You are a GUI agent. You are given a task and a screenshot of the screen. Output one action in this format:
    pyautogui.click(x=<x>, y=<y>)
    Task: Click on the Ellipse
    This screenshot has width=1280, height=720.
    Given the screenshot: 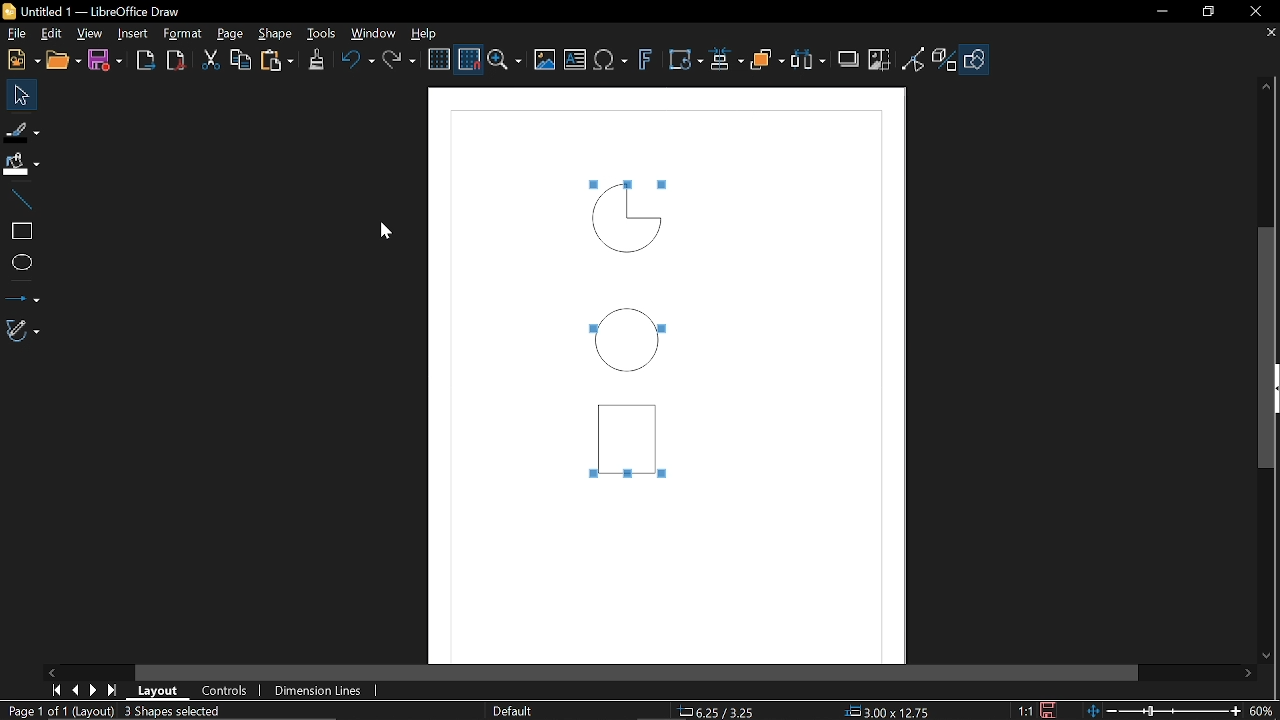 What is the action you would take?
    pyautogui.click(x=20, y=263)
    